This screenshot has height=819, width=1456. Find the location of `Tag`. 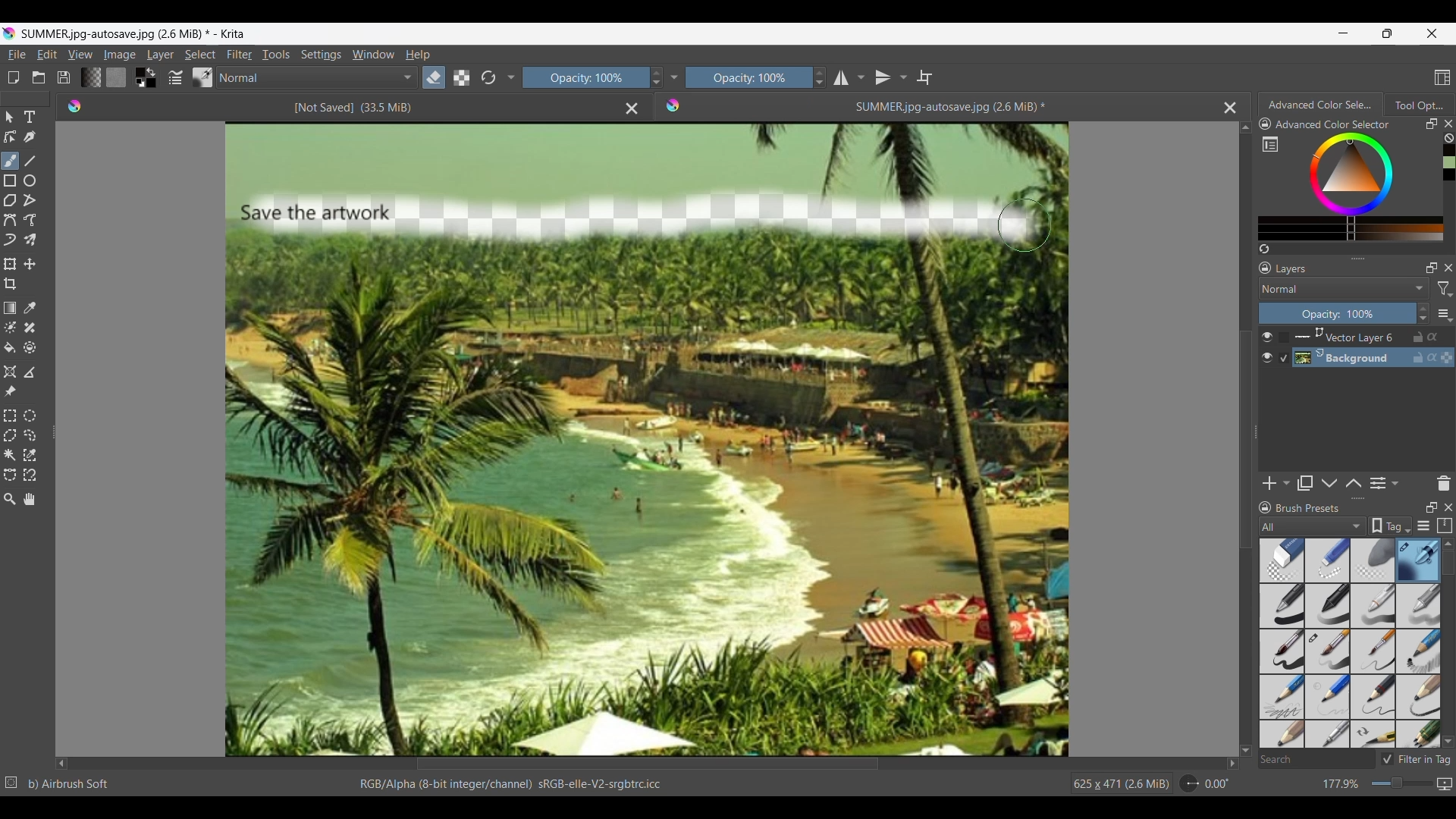

Tag is located at coordinates (1390, 526).